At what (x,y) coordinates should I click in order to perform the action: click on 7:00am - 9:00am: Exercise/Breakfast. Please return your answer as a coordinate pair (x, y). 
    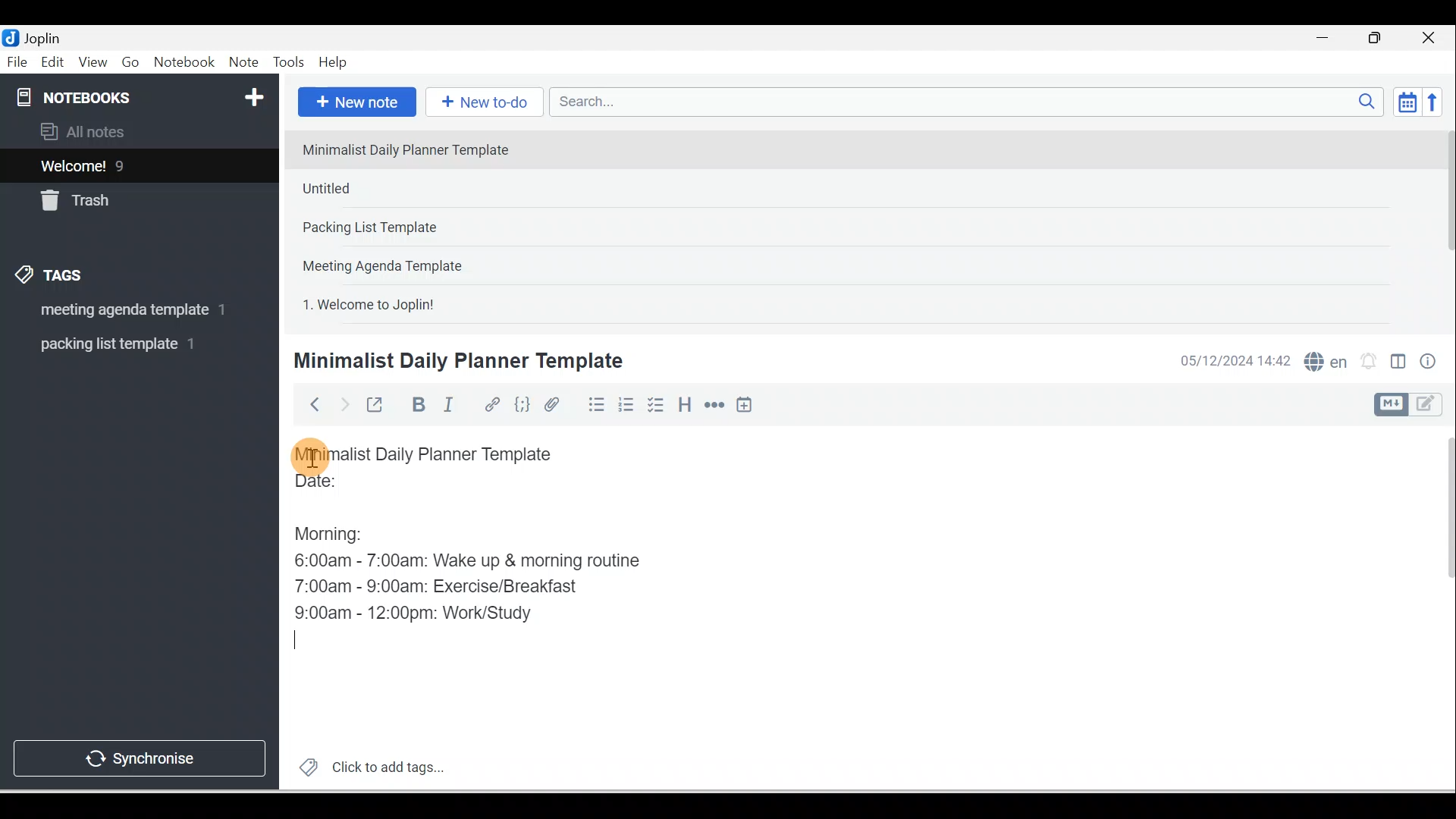
    Looking at the image, I should click on (439, 585).